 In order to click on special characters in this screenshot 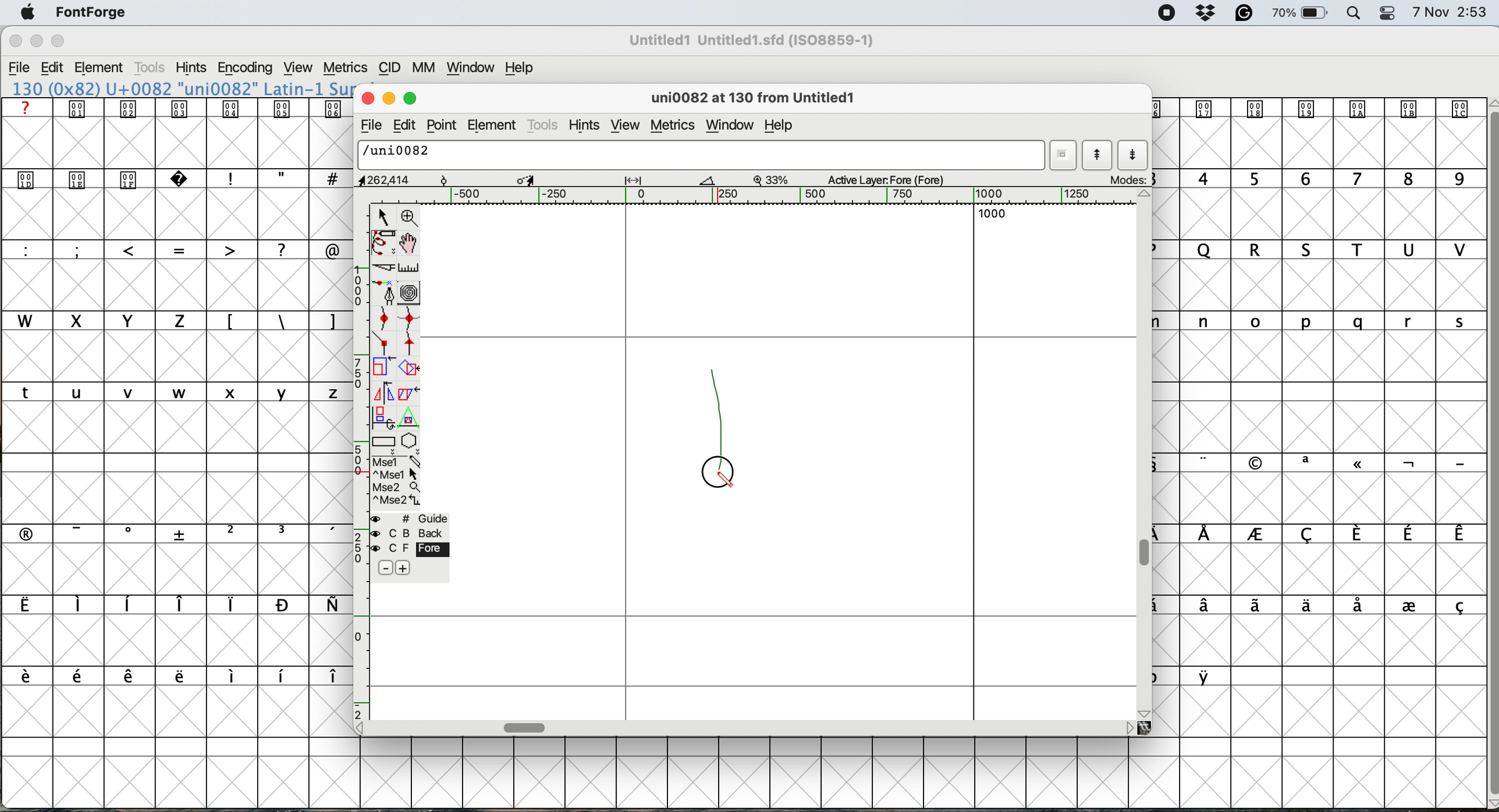, I will do `click(1319, 606)`.